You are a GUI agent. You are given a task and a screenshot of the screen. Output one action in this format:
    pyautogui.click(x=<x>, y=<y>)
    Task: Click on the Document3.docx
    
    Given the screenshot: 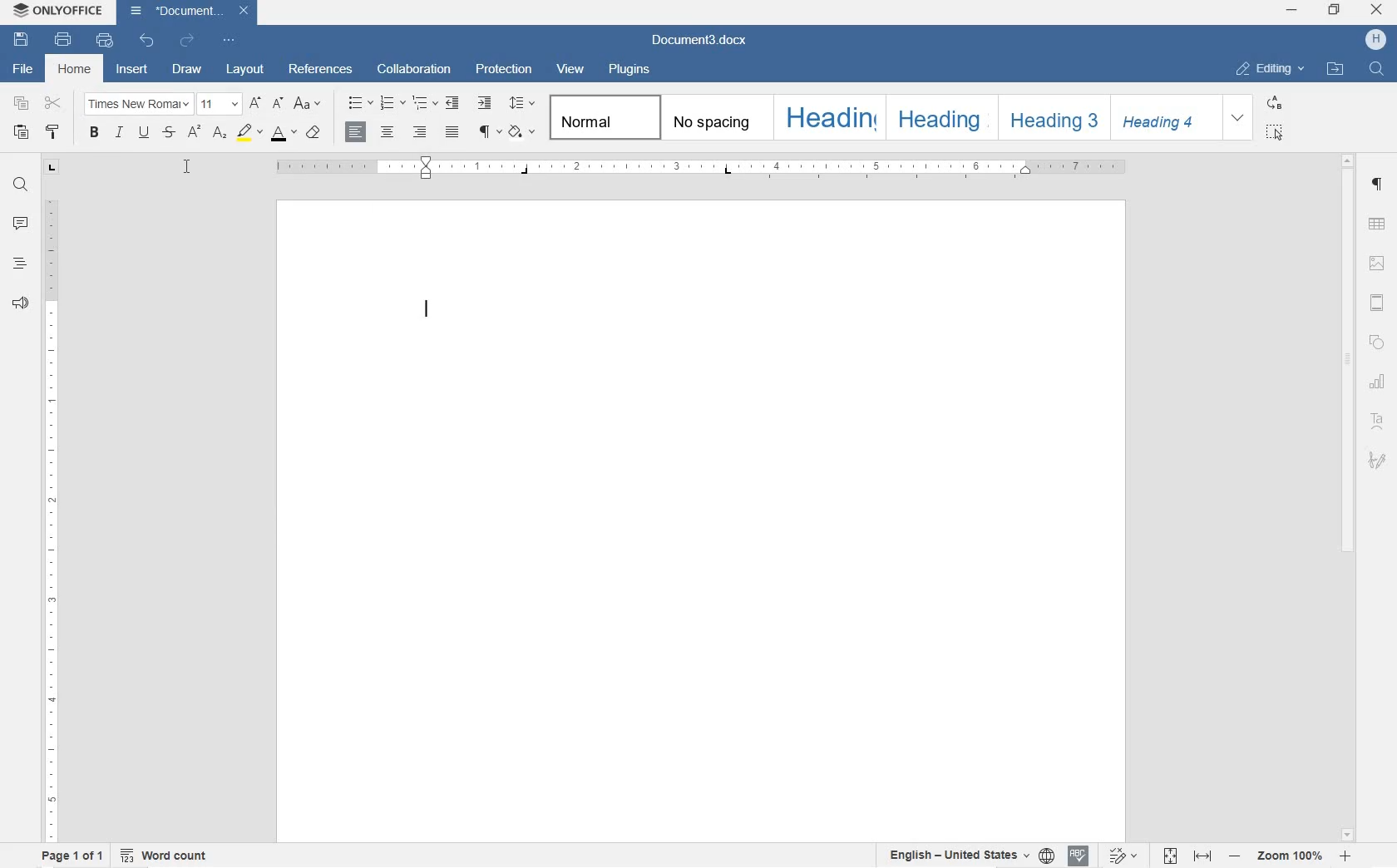 What is the action you would take?
    pyautogui.click(x=191, y=12)
    